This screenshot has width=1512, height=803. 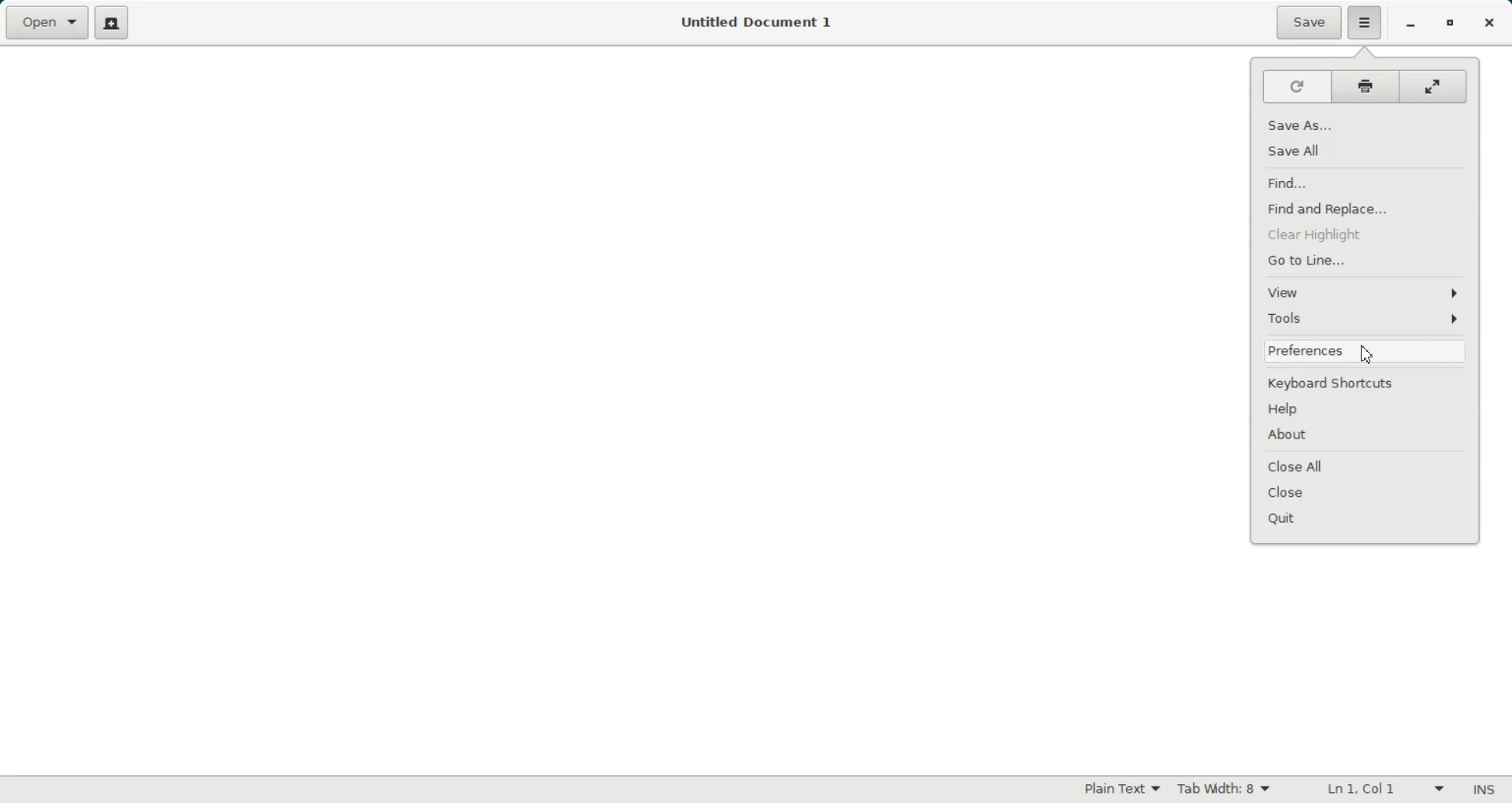 I want to click on Line Column, so click(x=1381, y=790).